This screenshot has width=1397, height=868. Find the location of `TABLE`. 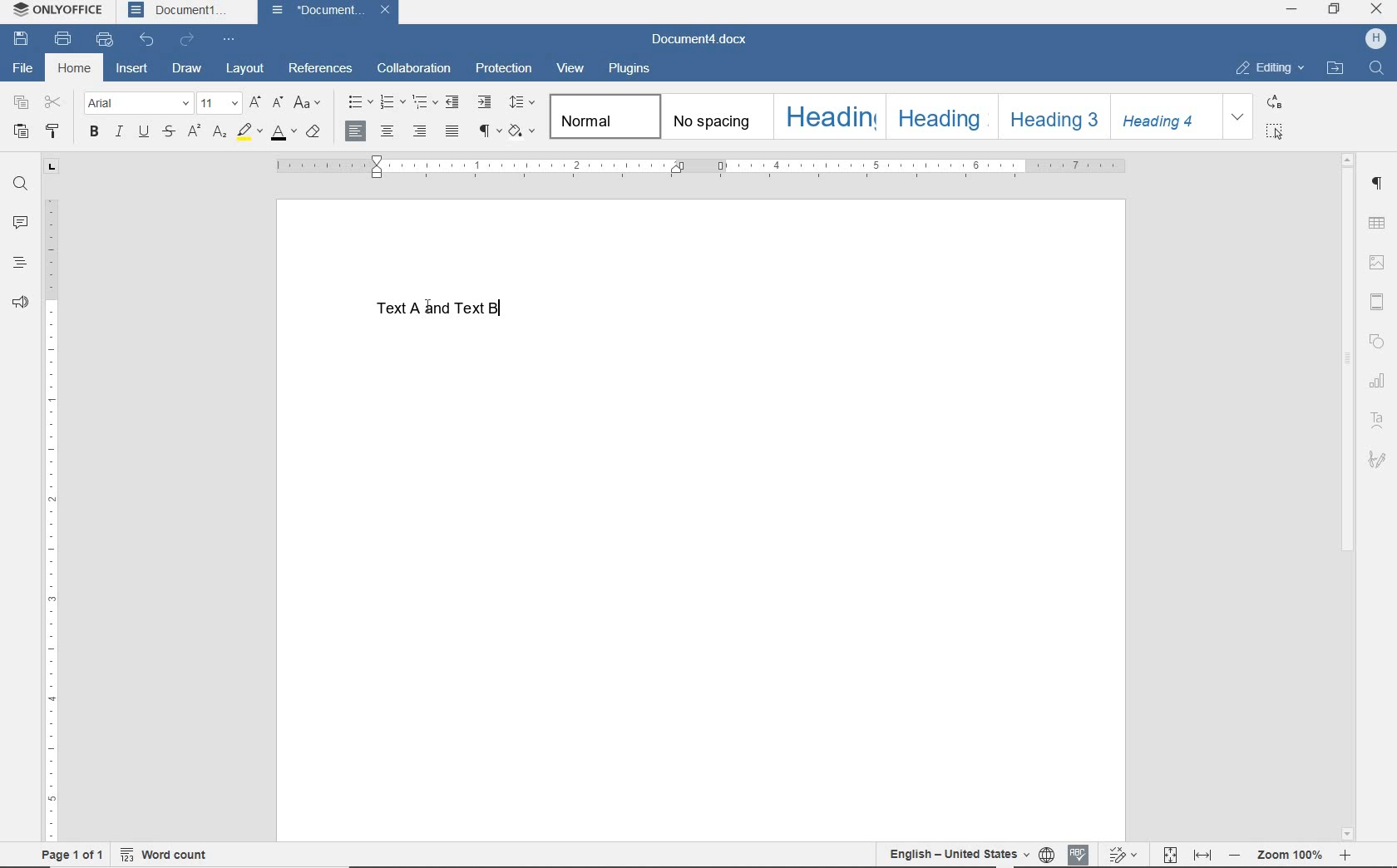

TABLE is located at coordinates (1377, 224).